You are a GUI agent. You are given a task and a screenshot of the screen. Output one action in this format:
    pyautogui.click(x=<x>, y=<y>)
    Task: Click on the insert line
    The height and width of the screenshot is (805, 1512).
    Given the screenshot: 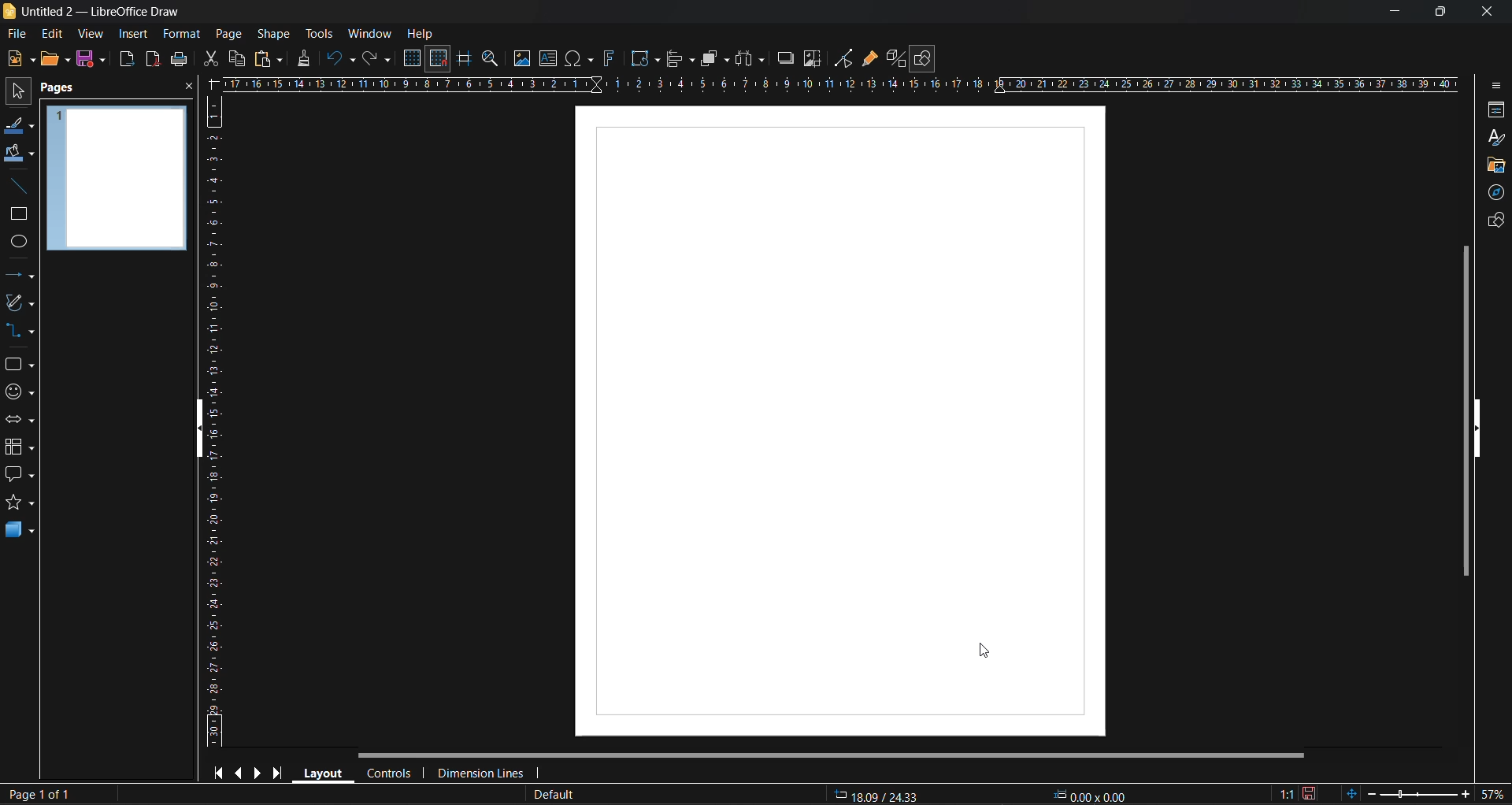 What is the action you would take?
    pyautogui.click(x=16, y=187)
    